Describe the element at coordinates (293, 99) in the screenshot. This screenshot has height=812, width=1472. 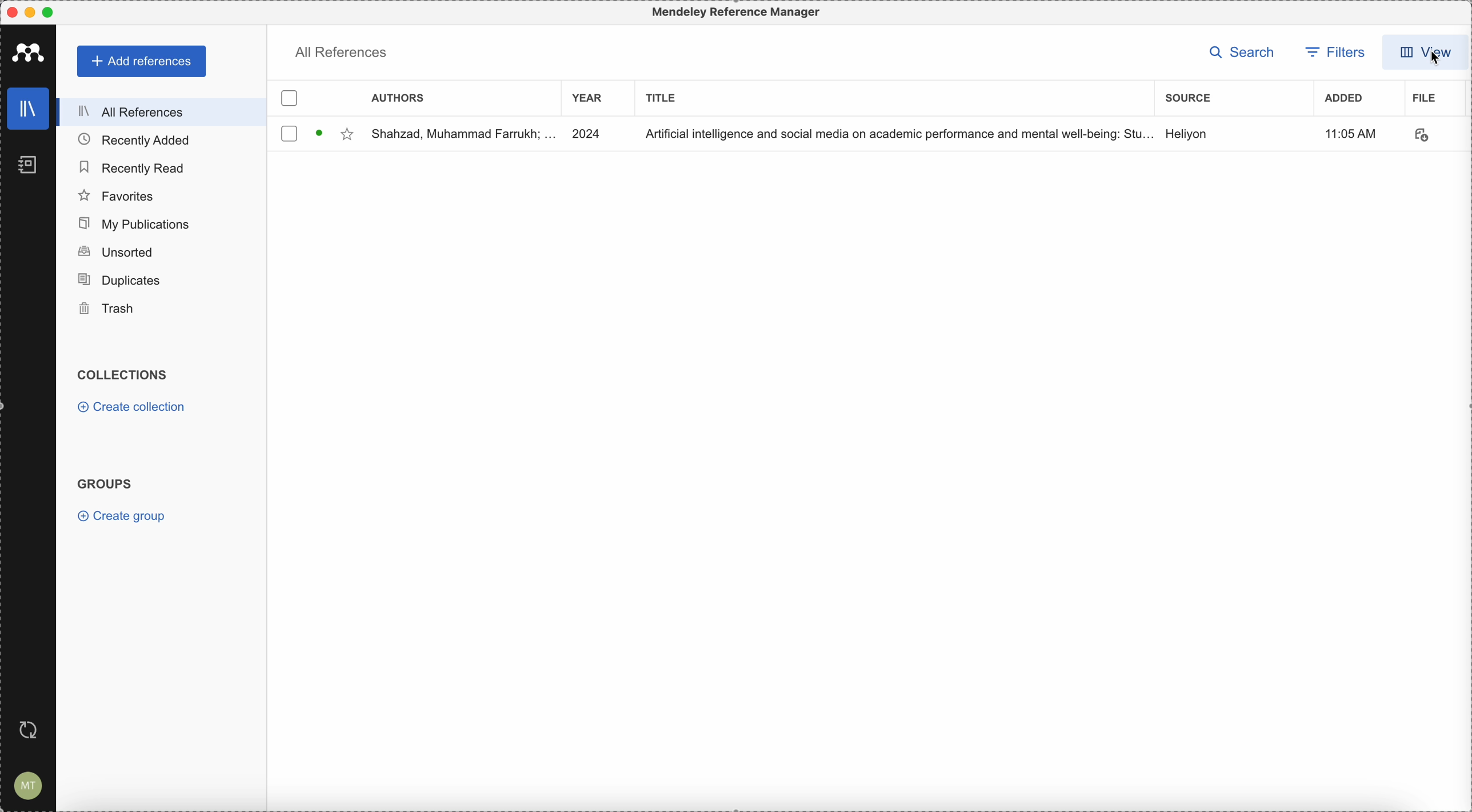
I see `checkbox` at that location.